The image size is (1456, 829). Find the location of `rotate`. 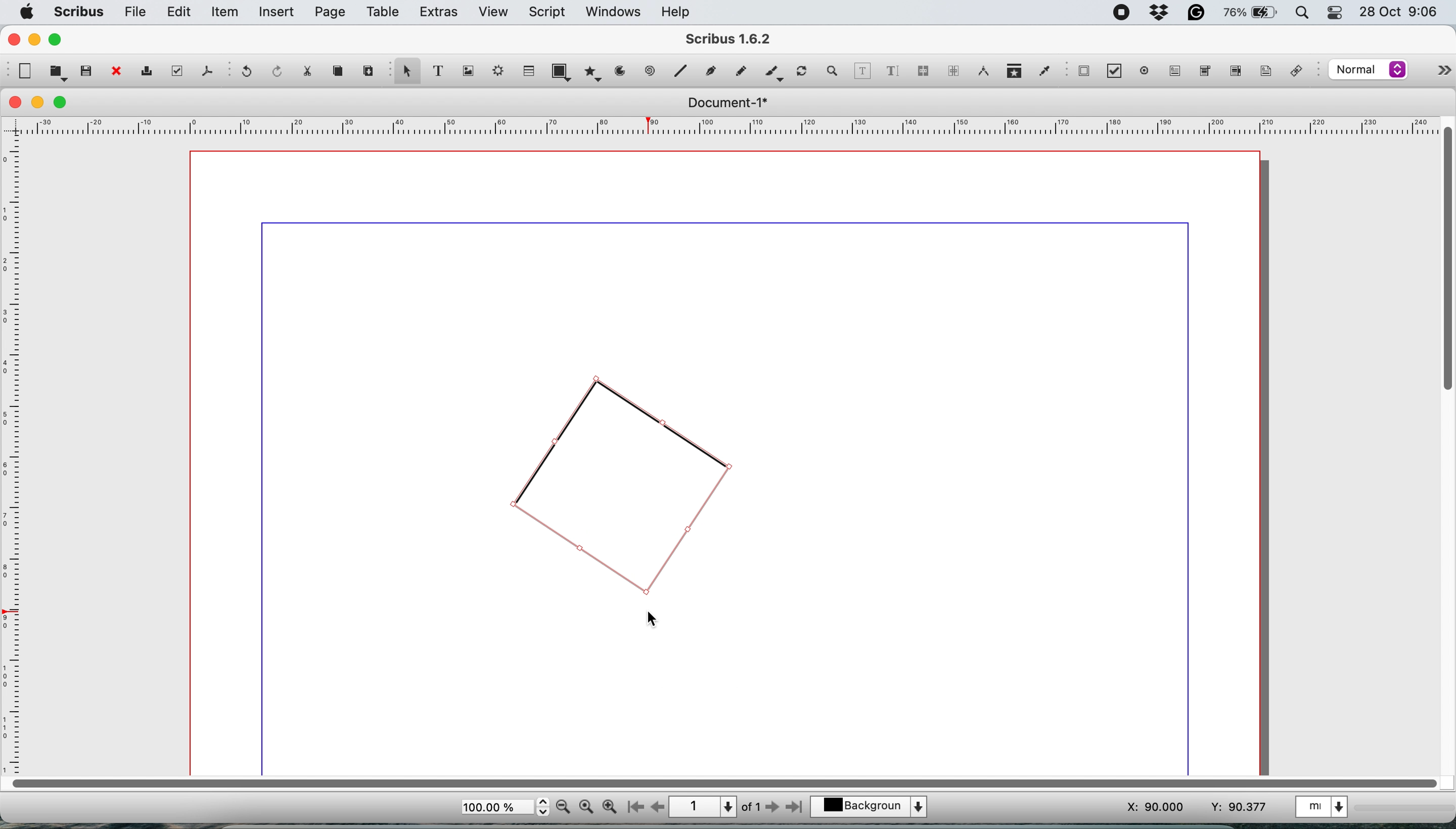

rotate is located at coordinates (803, 67).